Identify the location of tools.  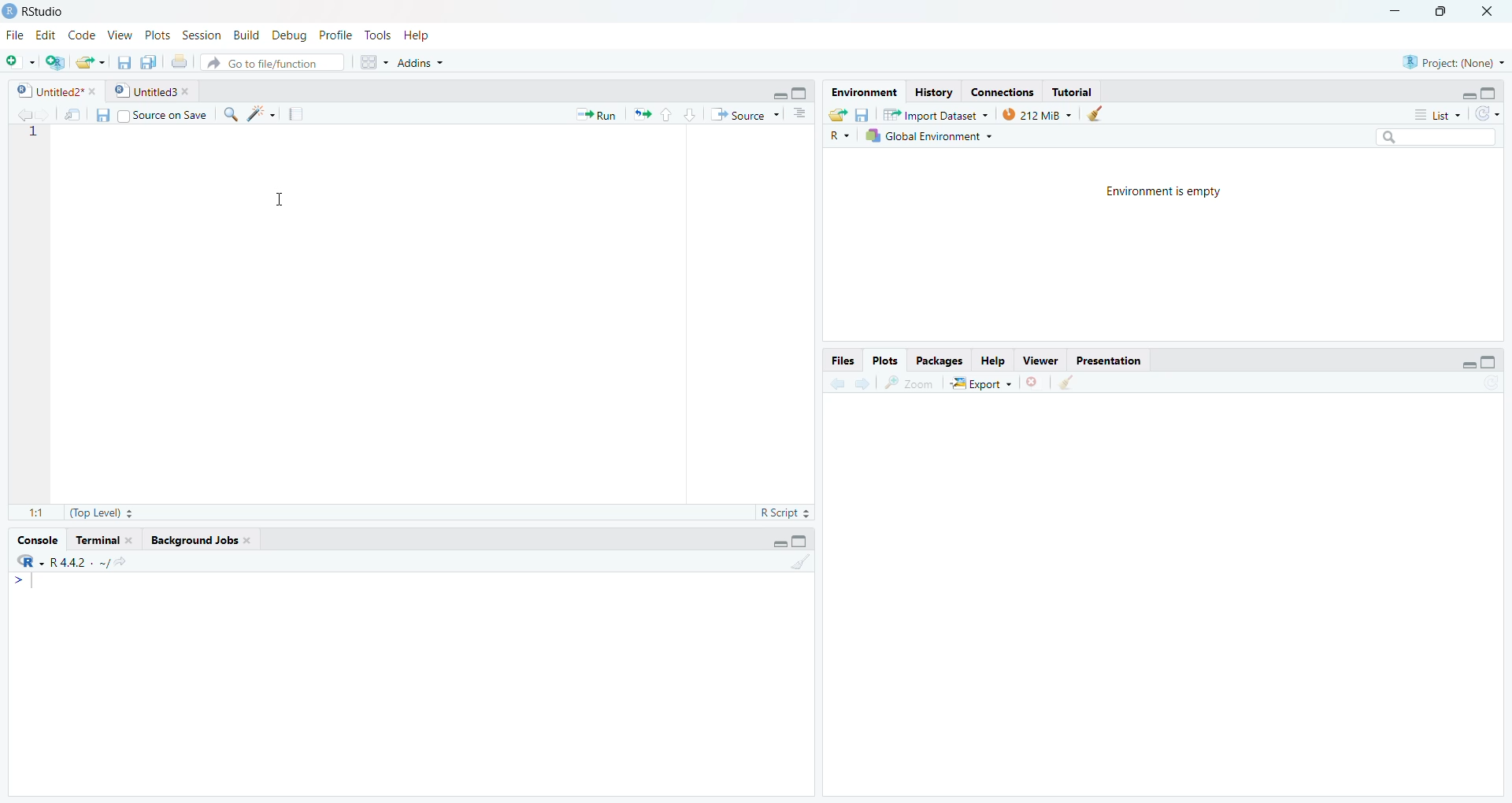
(377, 36).